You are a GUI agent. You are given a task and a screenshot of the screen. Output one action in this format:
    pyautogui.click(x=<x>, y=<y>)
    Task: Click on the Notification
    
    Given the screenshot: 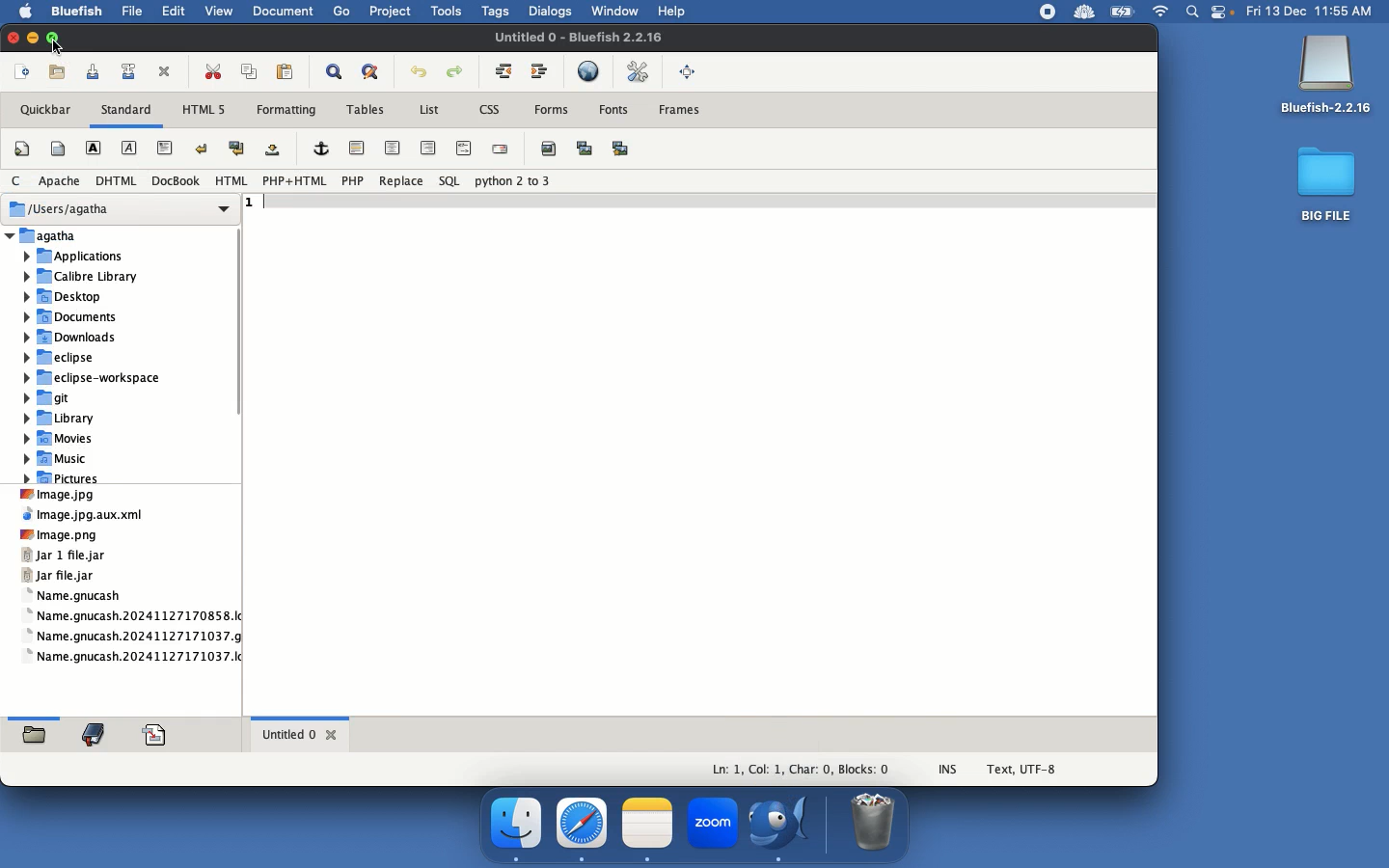 What is the action you would take?
    pyautogui.click(x=1224, y=14)
    